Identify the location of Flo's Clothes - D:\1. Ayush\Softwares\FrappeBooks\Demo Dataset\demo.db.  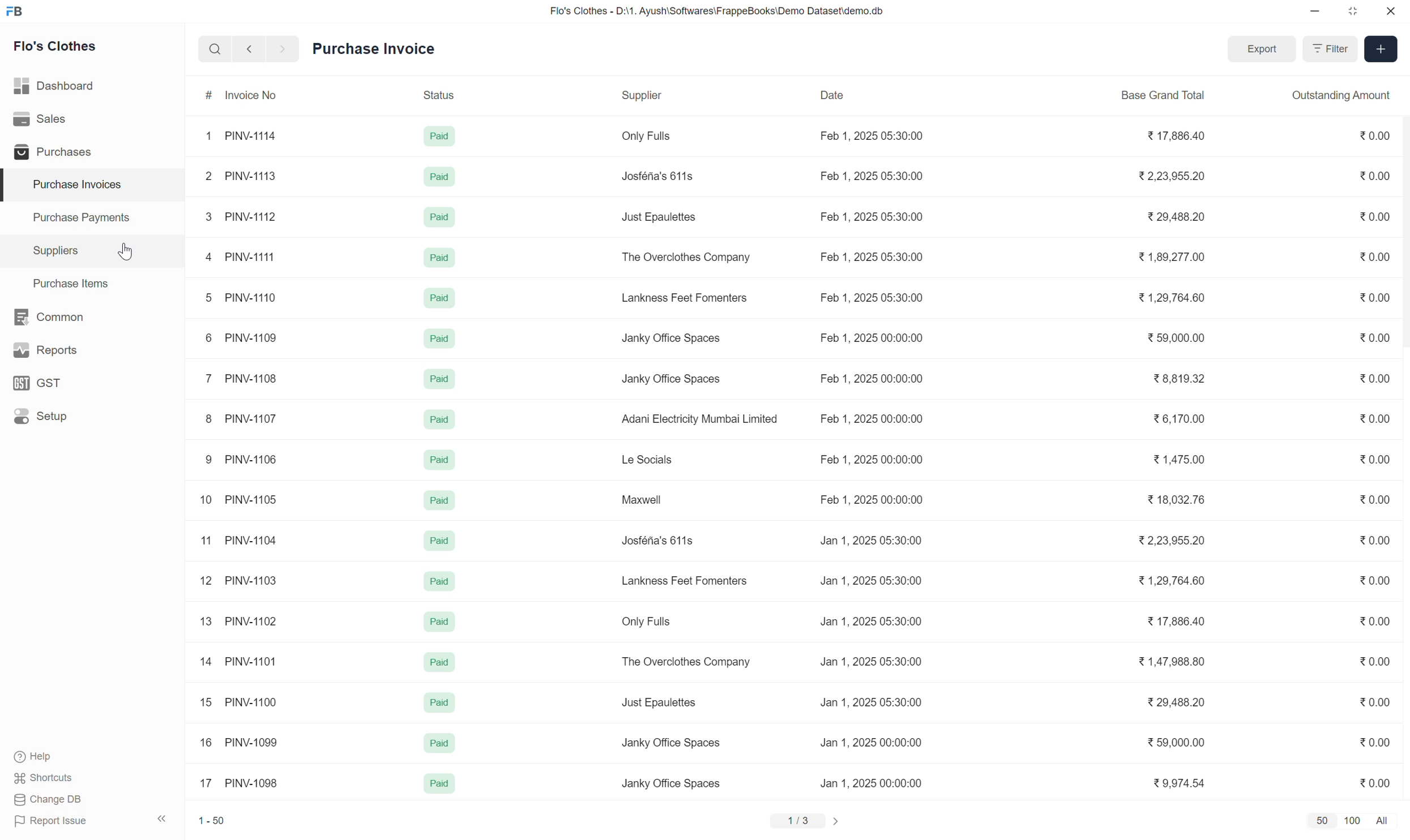
(717, 11).